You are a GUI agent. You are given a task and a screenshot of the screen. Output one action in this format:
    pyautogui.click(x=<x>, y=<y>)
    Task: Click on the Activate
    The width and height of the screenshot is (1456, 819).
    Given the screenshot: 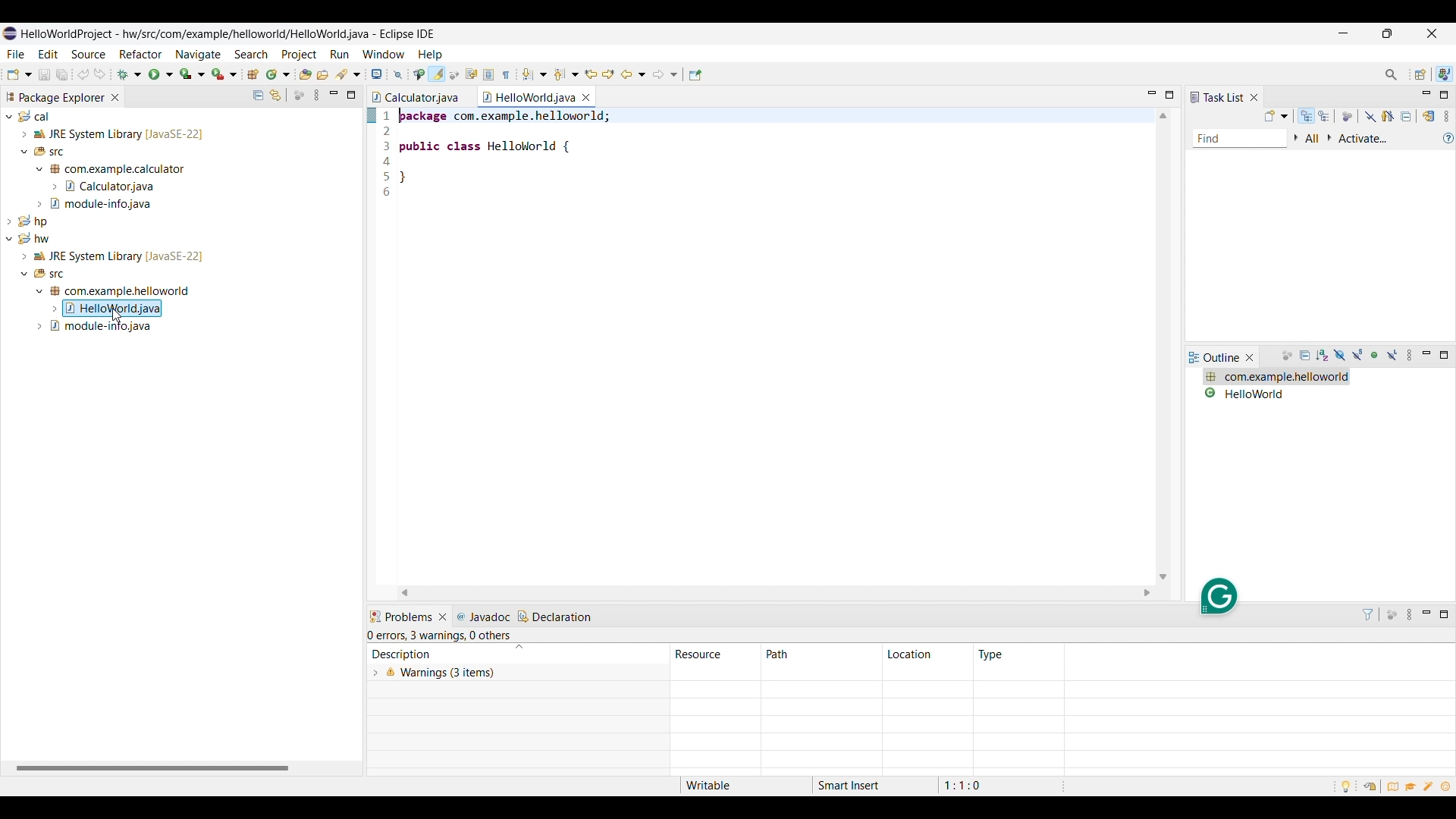 What is the action you would take?
    pyautogui.click(x=1364, y=140)
    